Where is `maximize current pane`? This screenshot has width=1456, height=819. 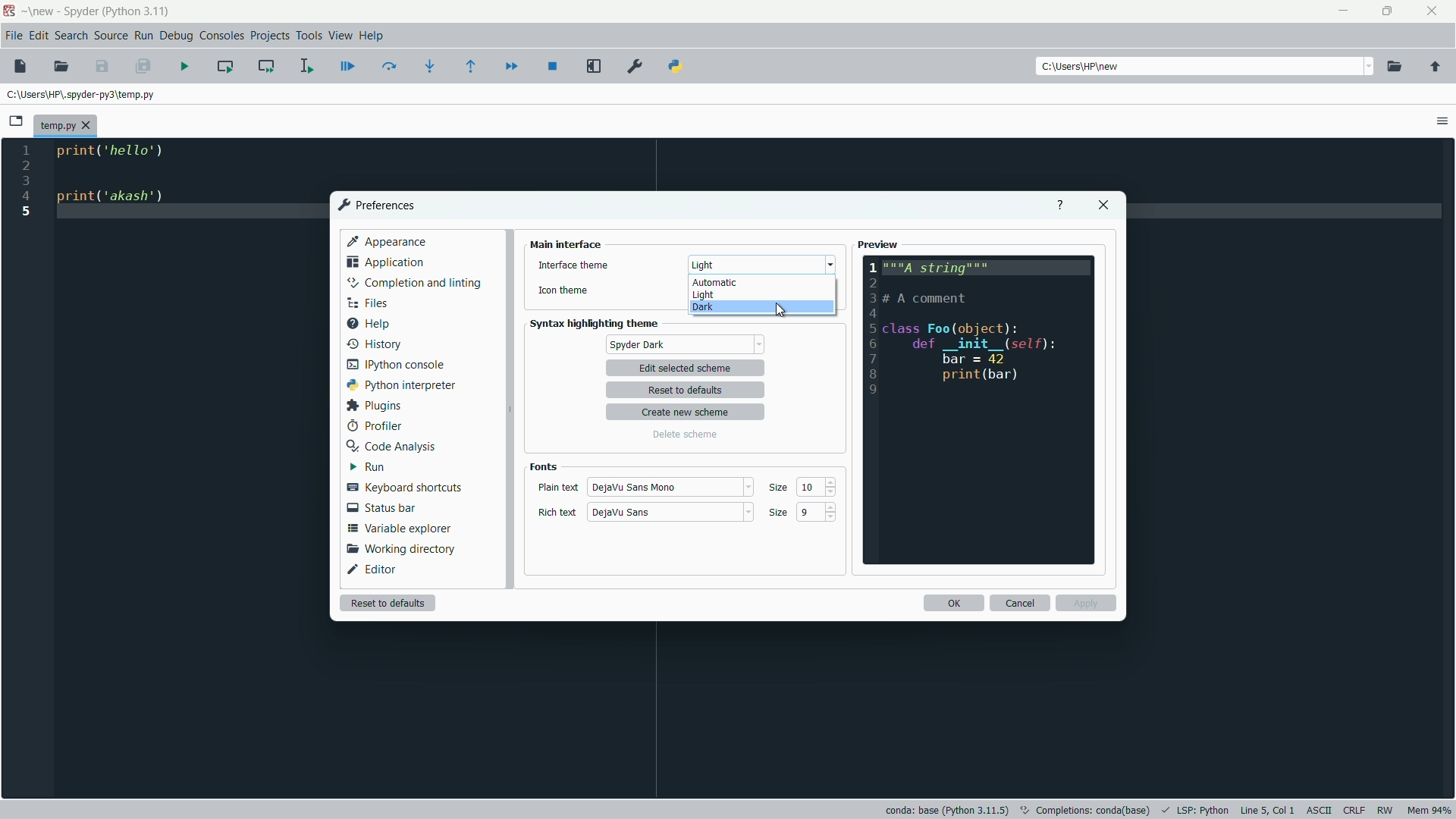
maximize current pane is located at coordinates (595, 67).